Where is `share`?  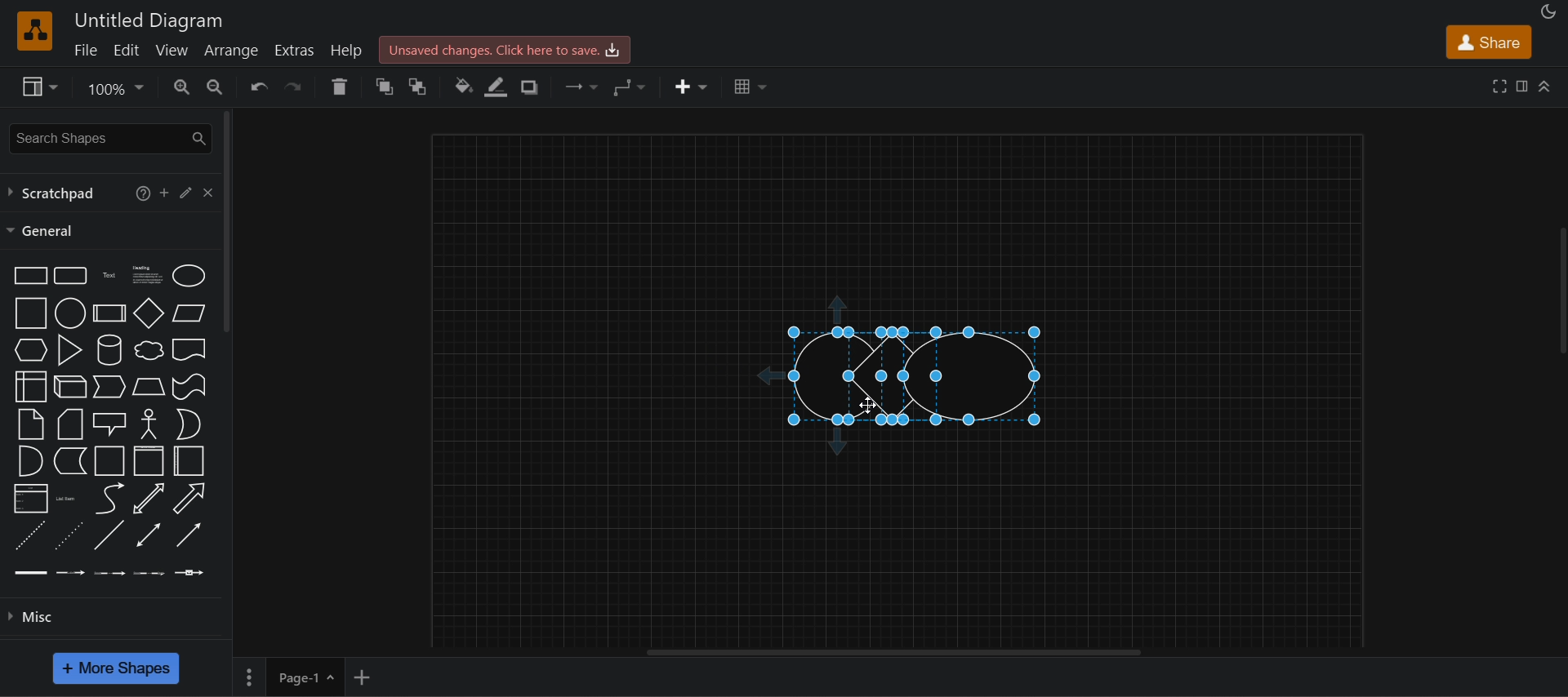
share is located at coordinates (1488, 42).